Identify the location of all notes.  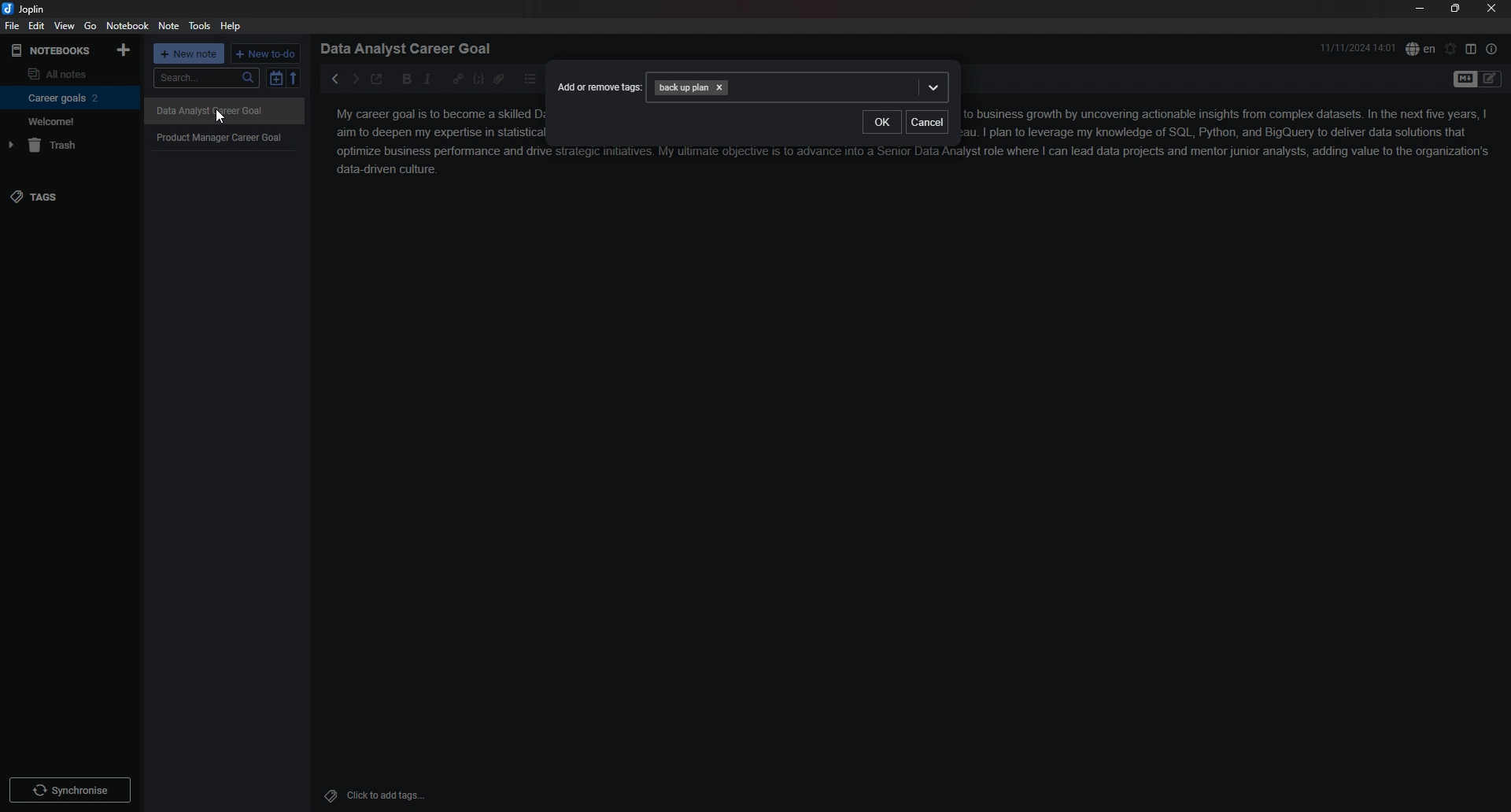
(67, 72).